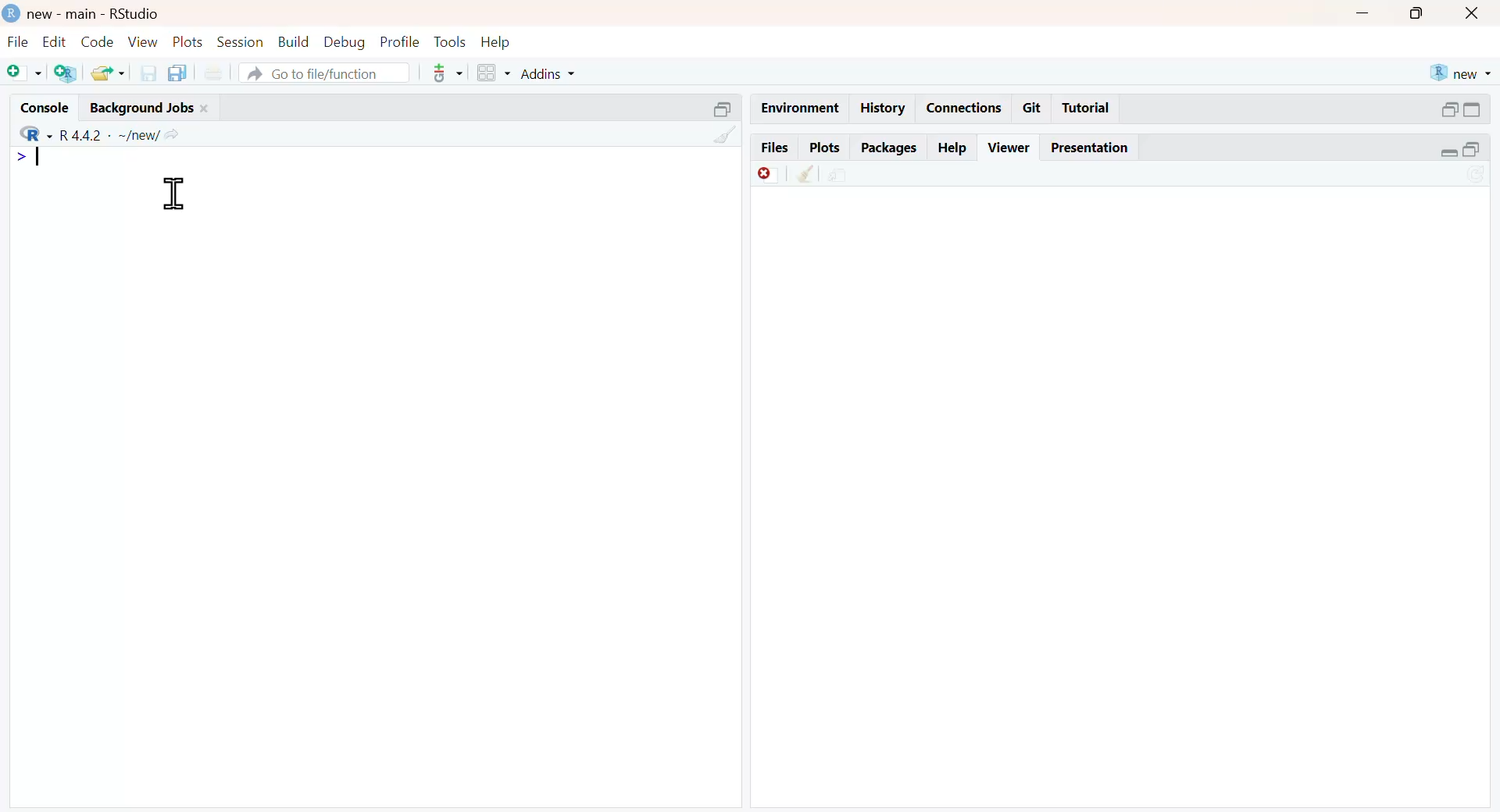 This screenshot has width=1500, height=812. I want to click on git, so click(1034, 109).